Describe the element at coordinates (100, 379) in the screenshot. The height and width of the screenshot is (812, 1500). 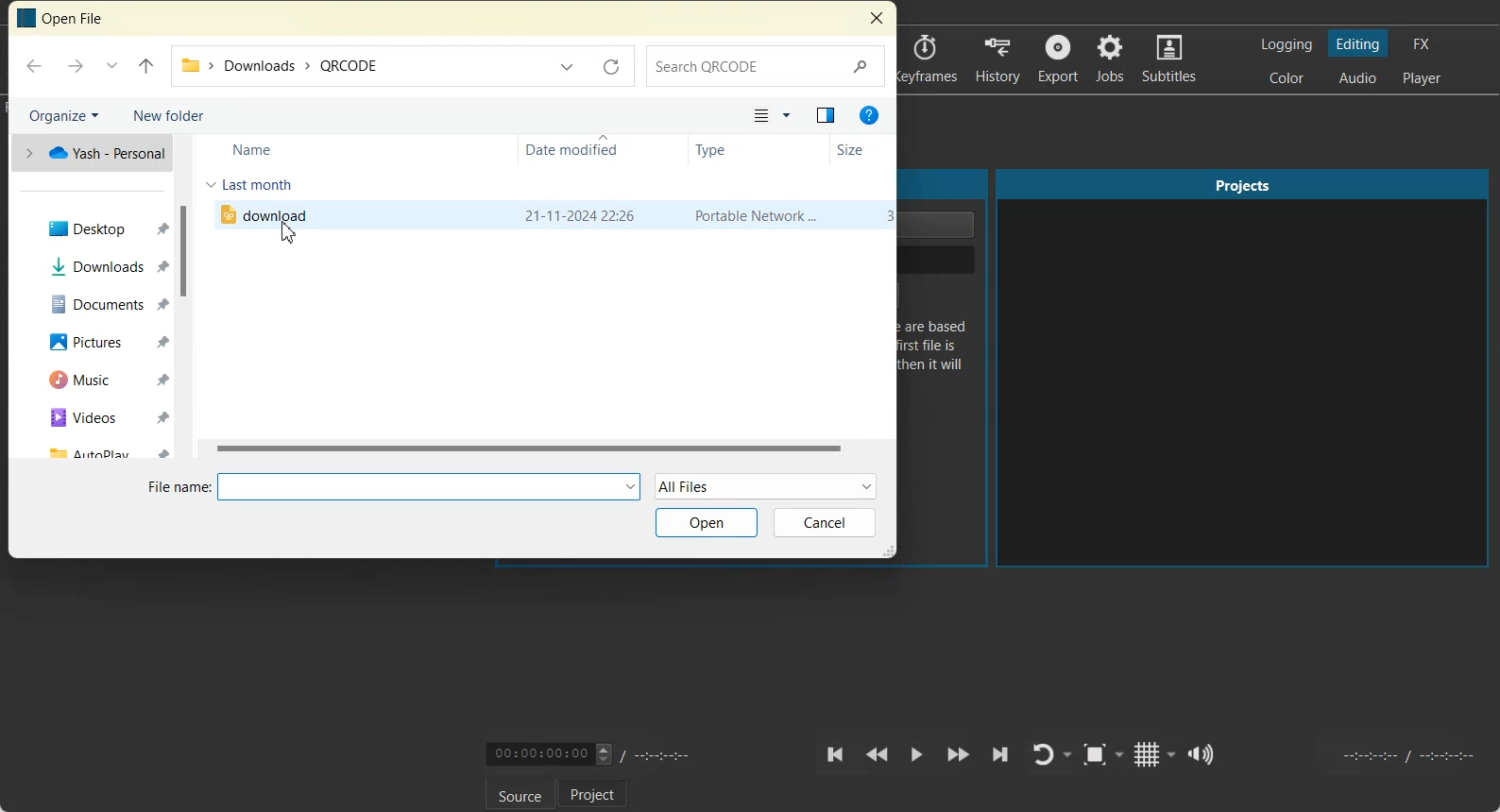
I see `Music` at that location.